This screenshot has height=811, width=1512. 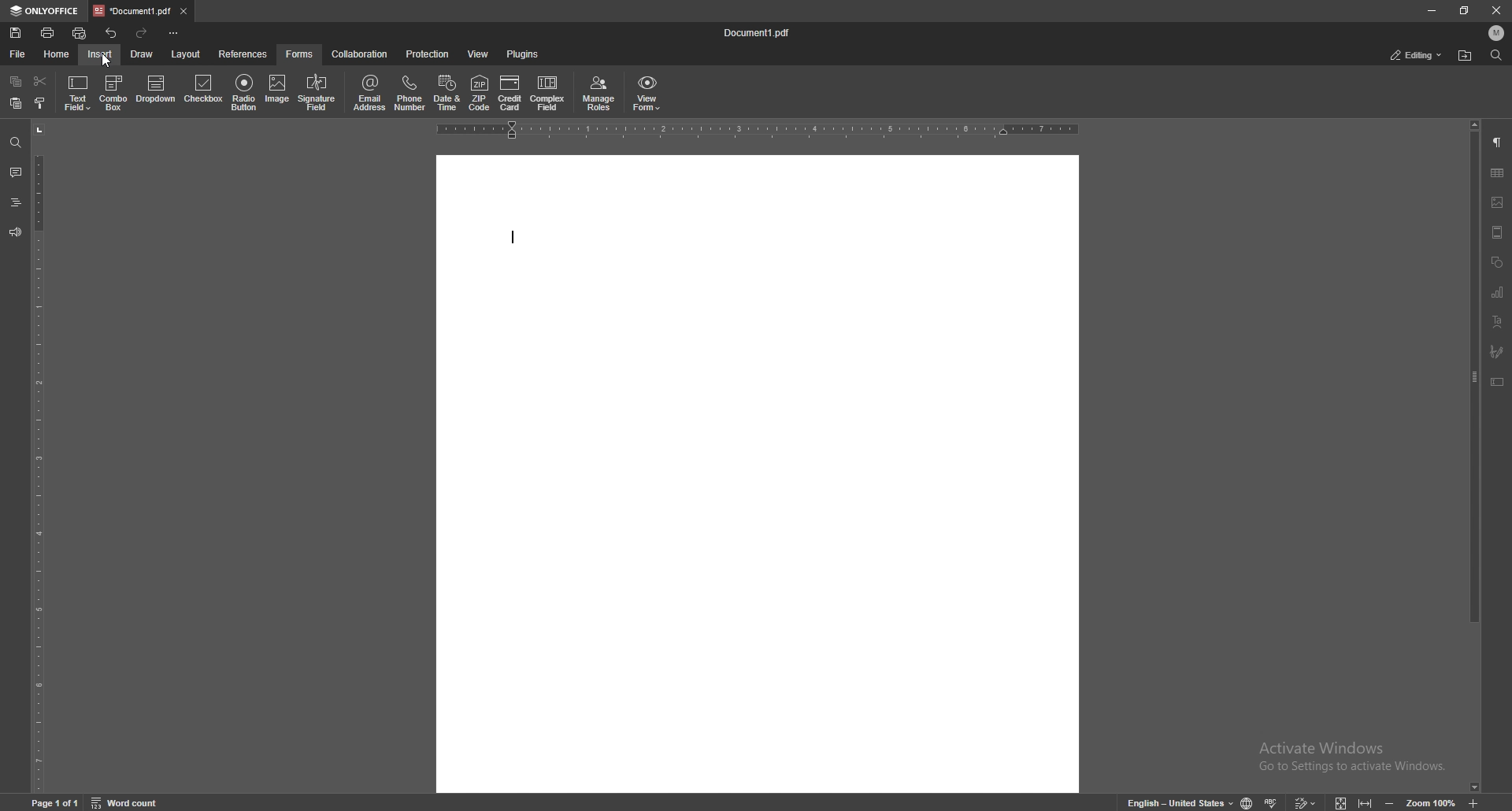 What do you see at coordinates (15, 233) in the screenshot?
I see `feedback` at bounding box center [15, 233].